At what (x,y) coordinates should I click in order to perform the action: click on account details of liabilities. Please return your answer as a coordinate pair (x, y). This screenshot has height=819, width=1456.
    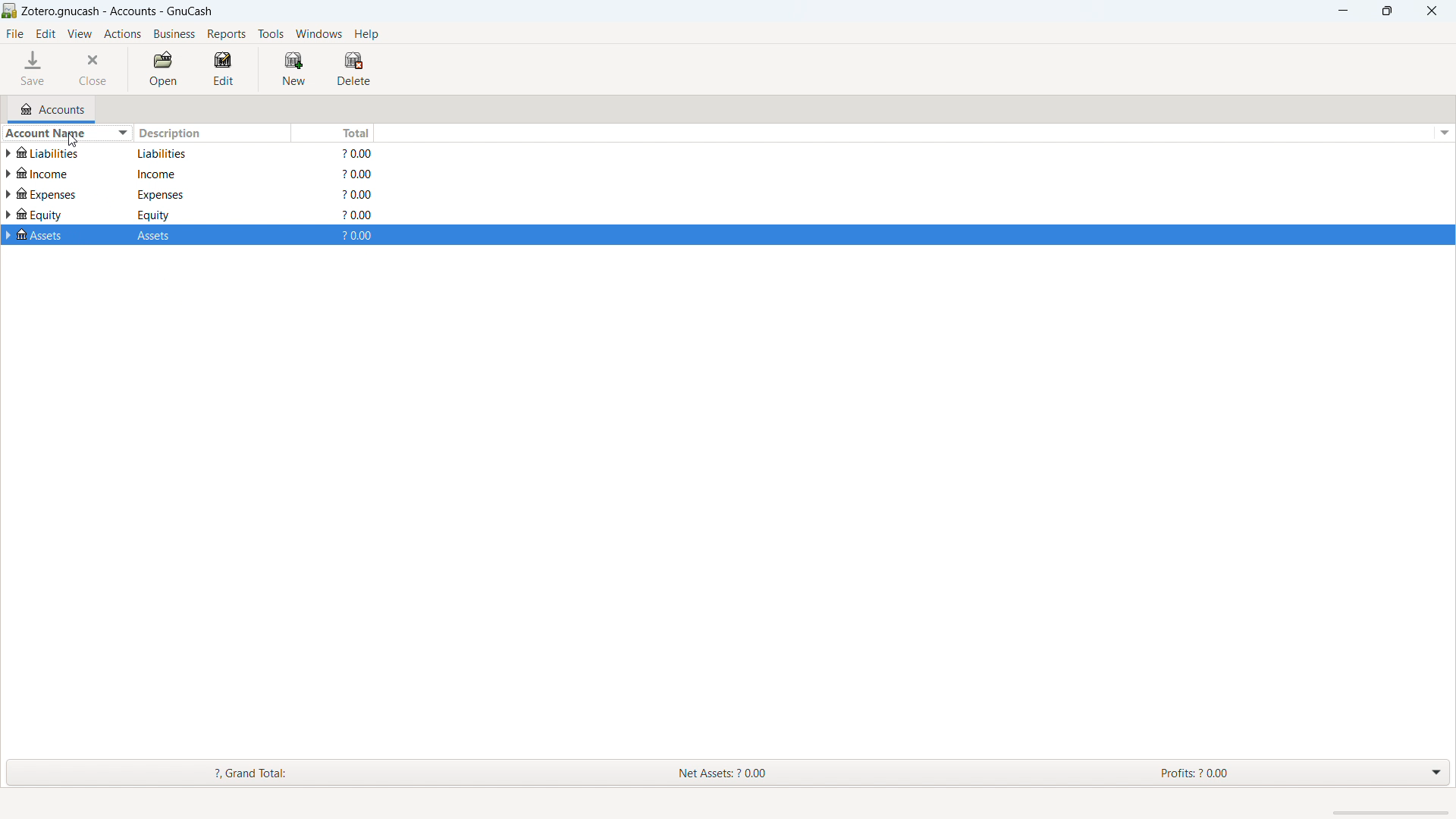
    Looking at the image, I should click on (207, 154).